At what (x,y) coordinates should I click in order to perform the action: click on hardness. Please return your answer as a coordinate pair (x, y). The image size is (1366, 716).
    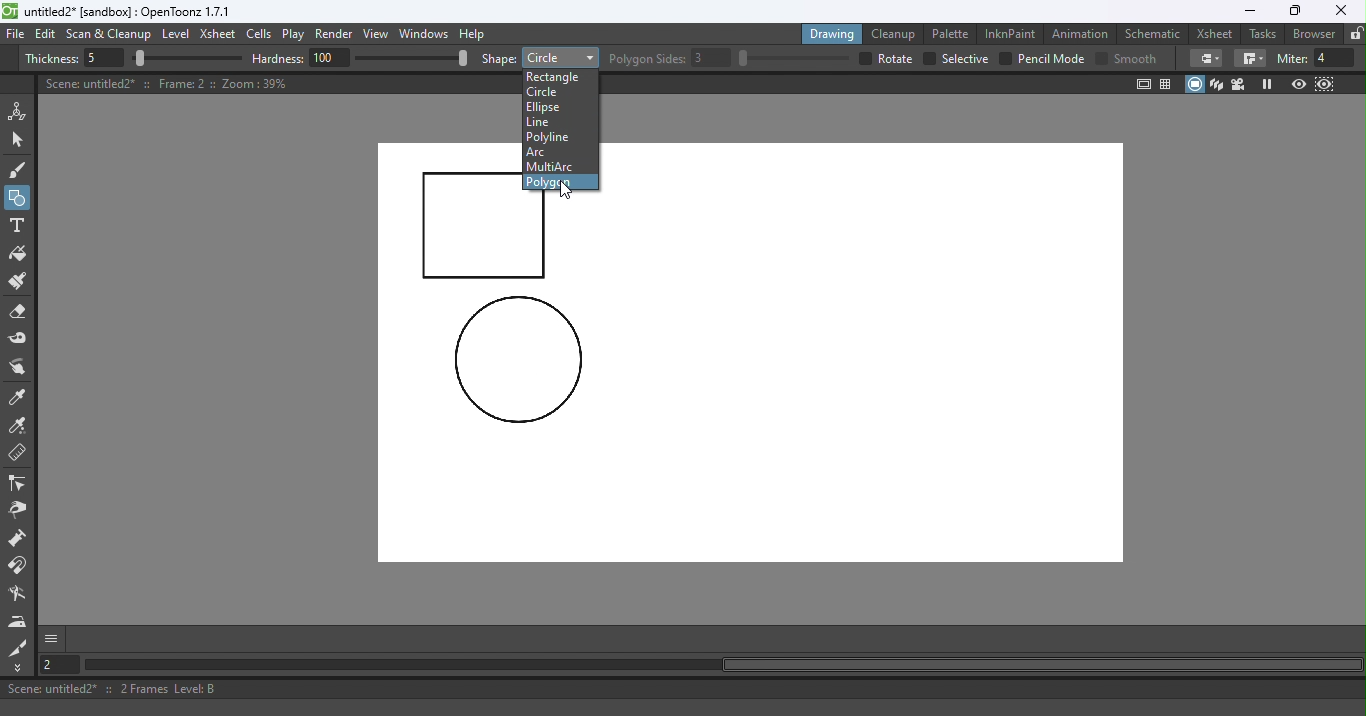
    Looking at the image, I should click on (280, 58).